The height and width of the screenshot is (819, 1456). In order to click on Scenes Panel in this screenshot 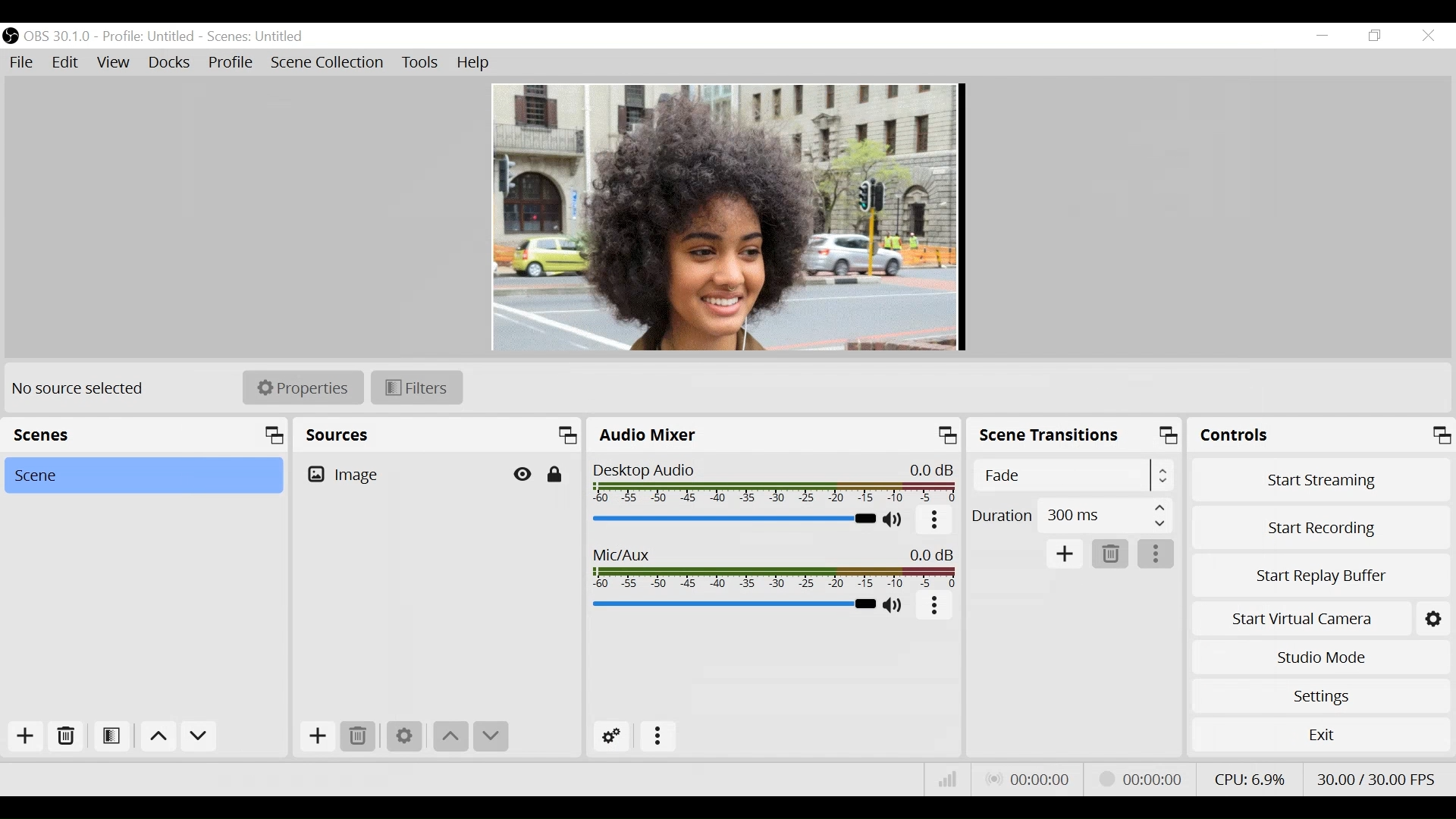, I will do `click(149, 435)`.